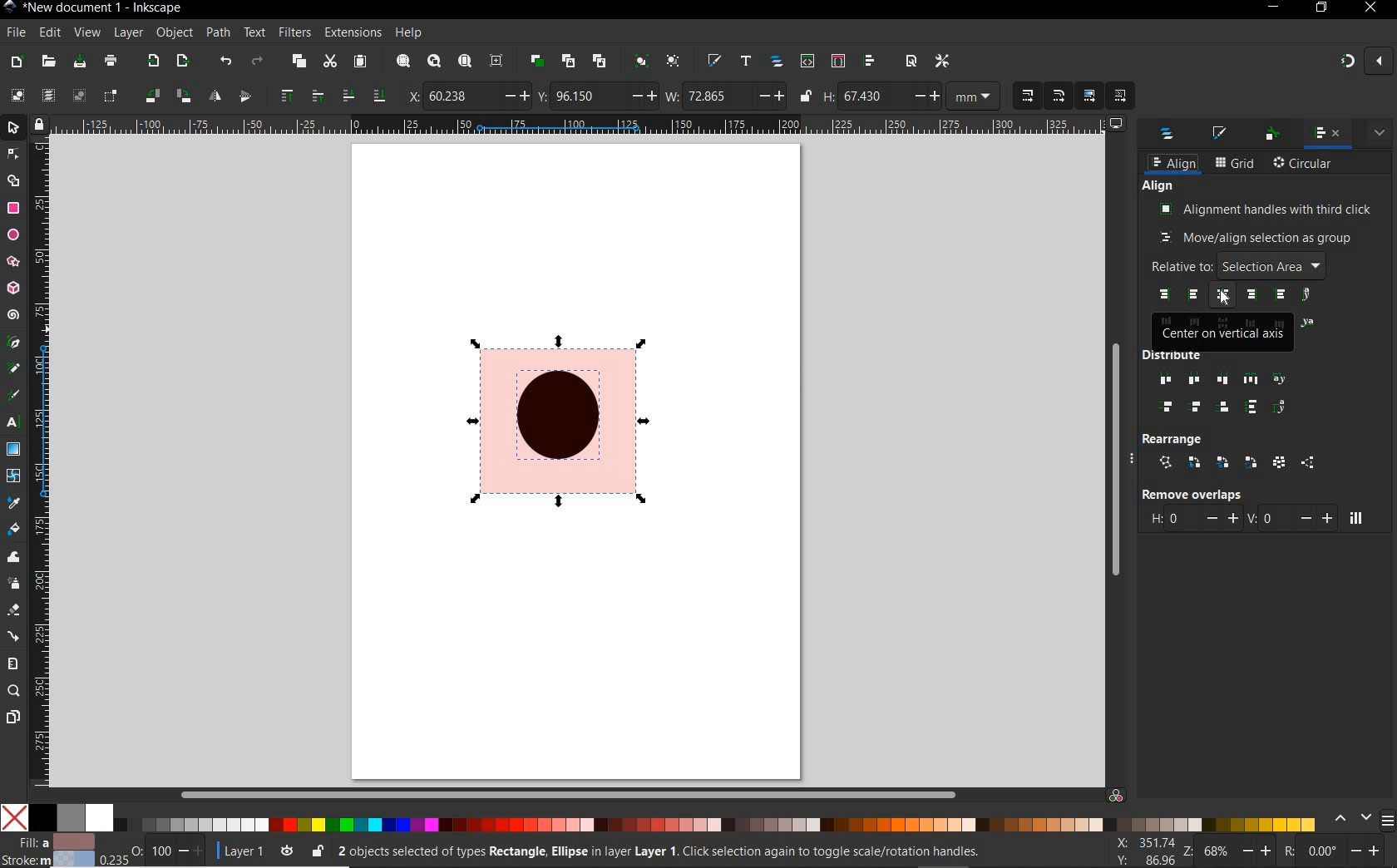  Describe the element at coordinates (465, 60) in the screenshot. I see `zoom page` at that location.